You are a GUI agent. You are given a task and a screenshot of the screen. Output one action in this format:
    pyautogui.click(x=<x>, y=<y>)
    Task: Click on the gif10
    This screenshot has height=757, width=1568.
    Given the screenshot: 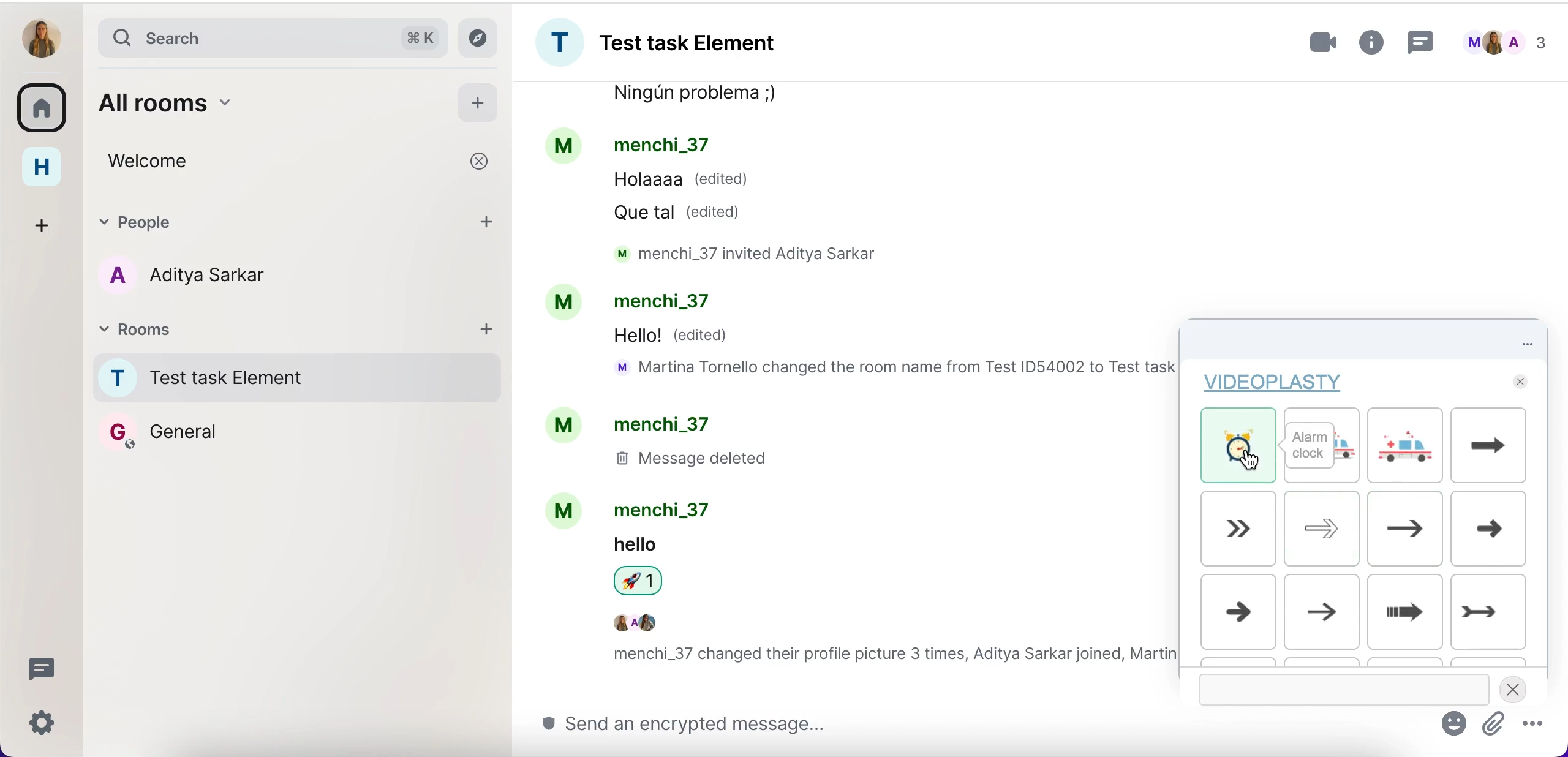 What is the action you would take?
    pyautogui.click(x=1321, y=611)
    